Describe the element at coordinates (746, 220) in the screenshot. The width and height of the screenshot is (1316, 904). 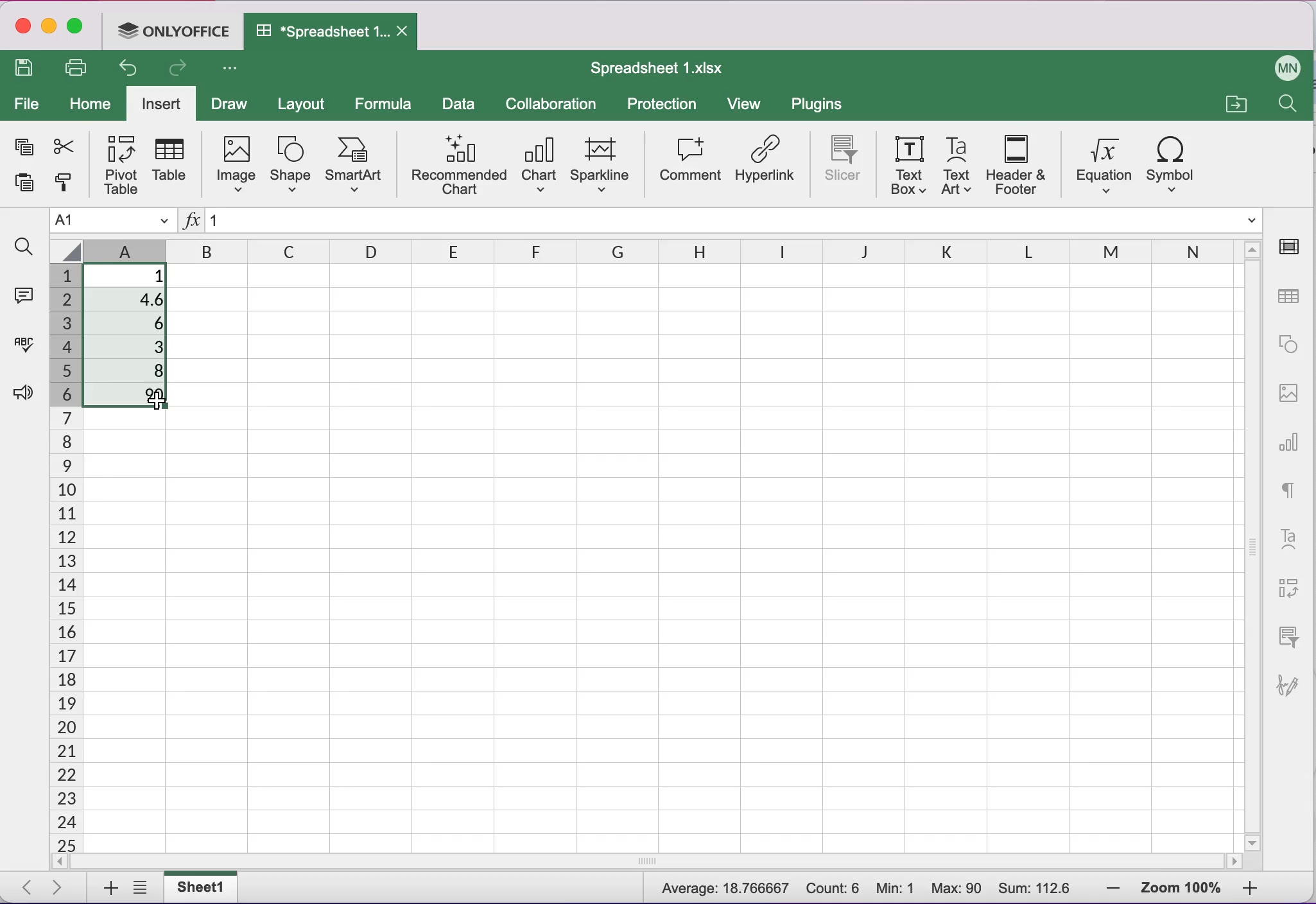
I see `Formula bar` at that location.